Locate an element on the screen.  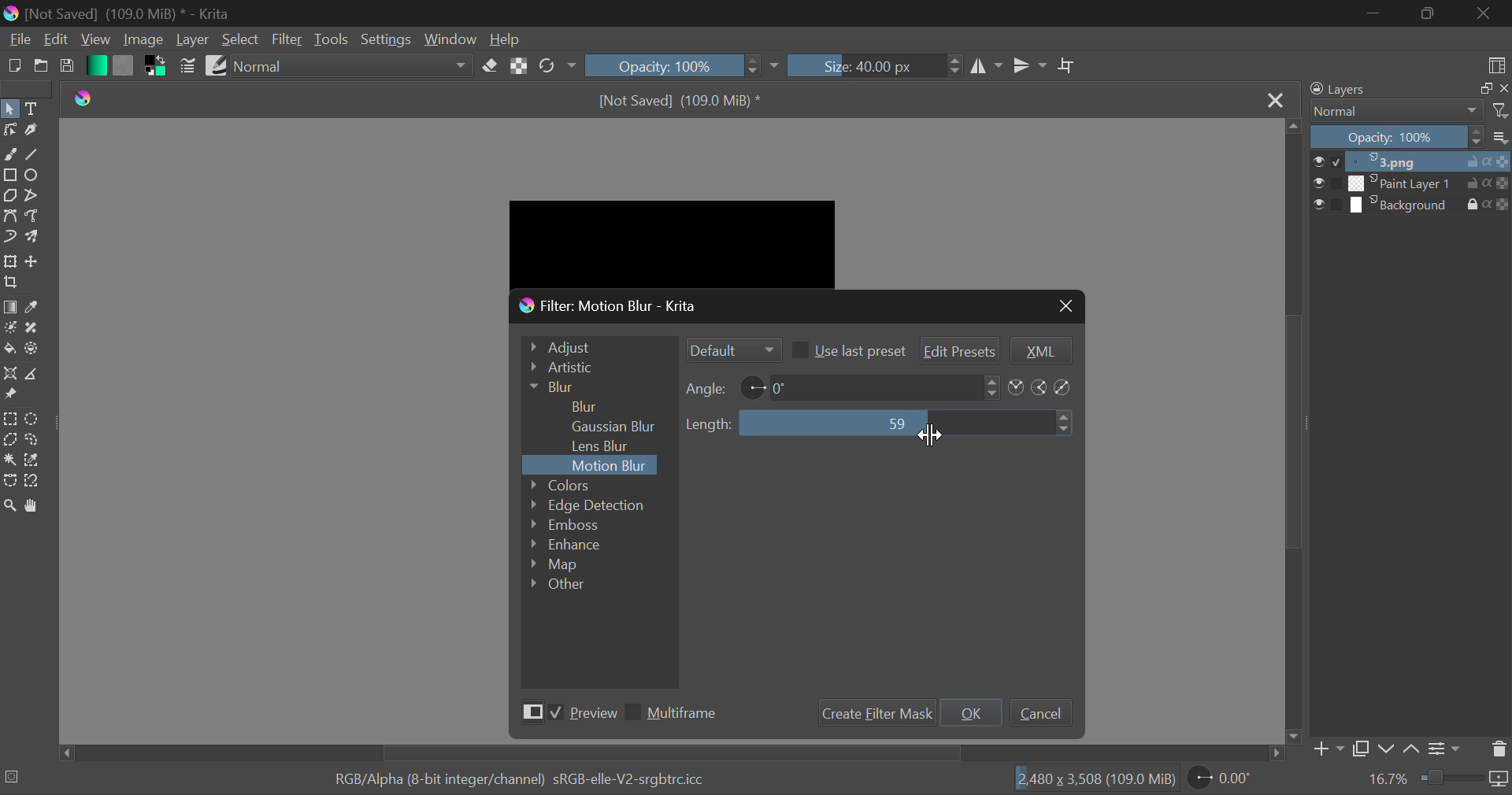
3.png is located at coordinates (1412, 162).